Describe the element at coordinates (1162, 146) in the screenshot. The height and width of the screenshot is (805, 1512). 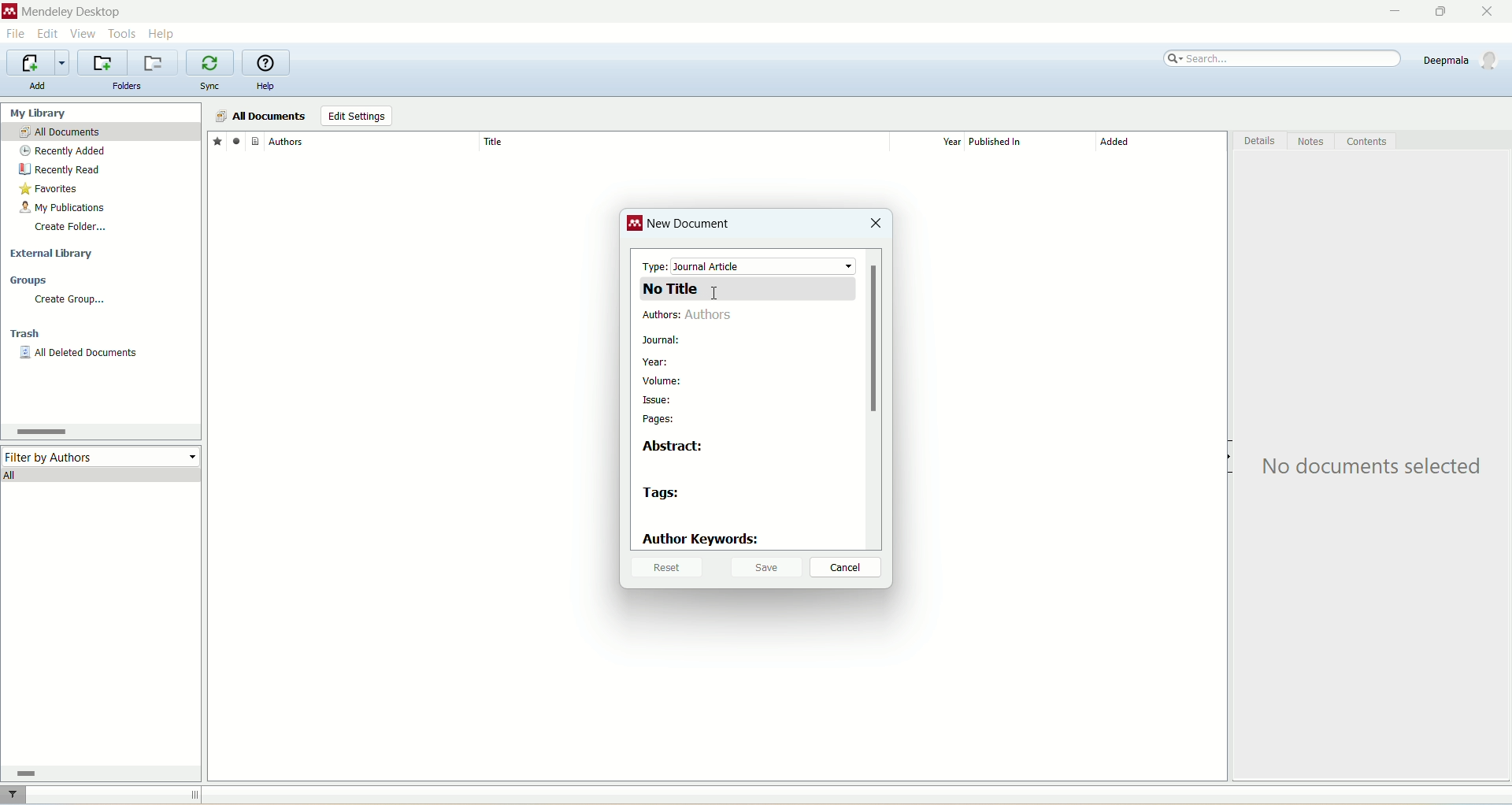
I see `added` at that location.